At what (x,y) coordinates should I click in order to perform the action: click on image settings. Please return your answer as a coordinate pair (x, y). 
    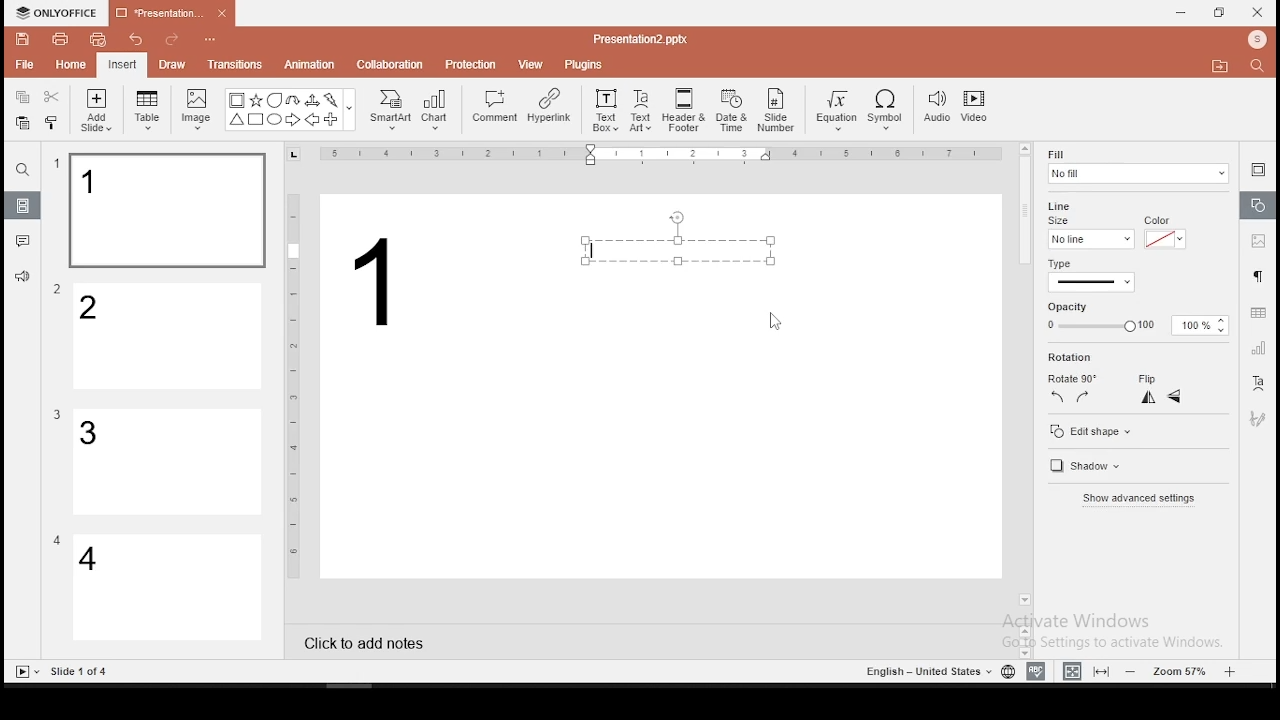
    Looking at the image, I should click on (1256, 243).